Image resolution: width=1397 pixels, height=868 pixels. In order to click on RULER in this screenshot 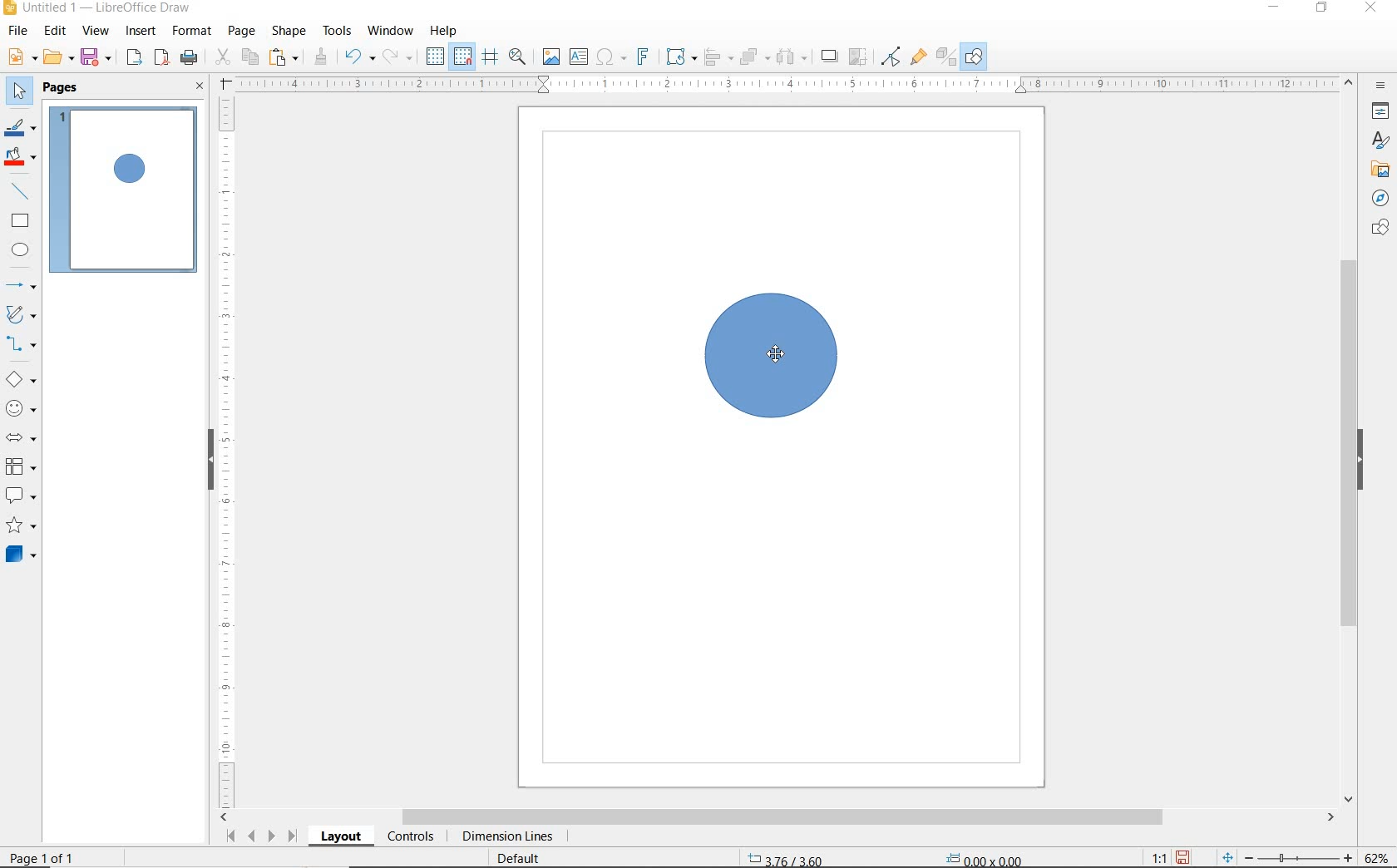, I will do `click(783, 82)`.